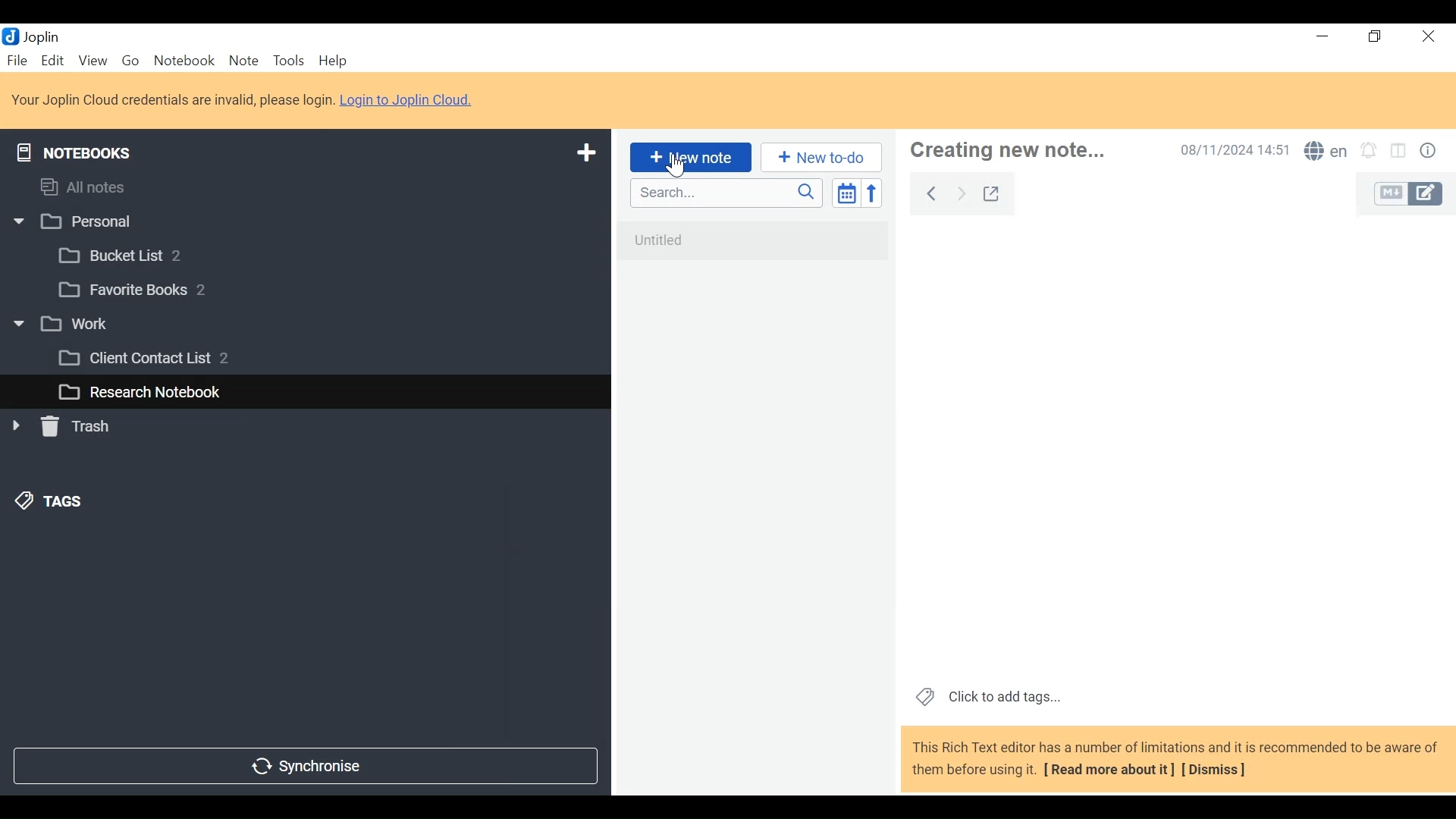 The height and width of the screenshot is (819, 1456). I want to click on Close, so click(1426, 37).